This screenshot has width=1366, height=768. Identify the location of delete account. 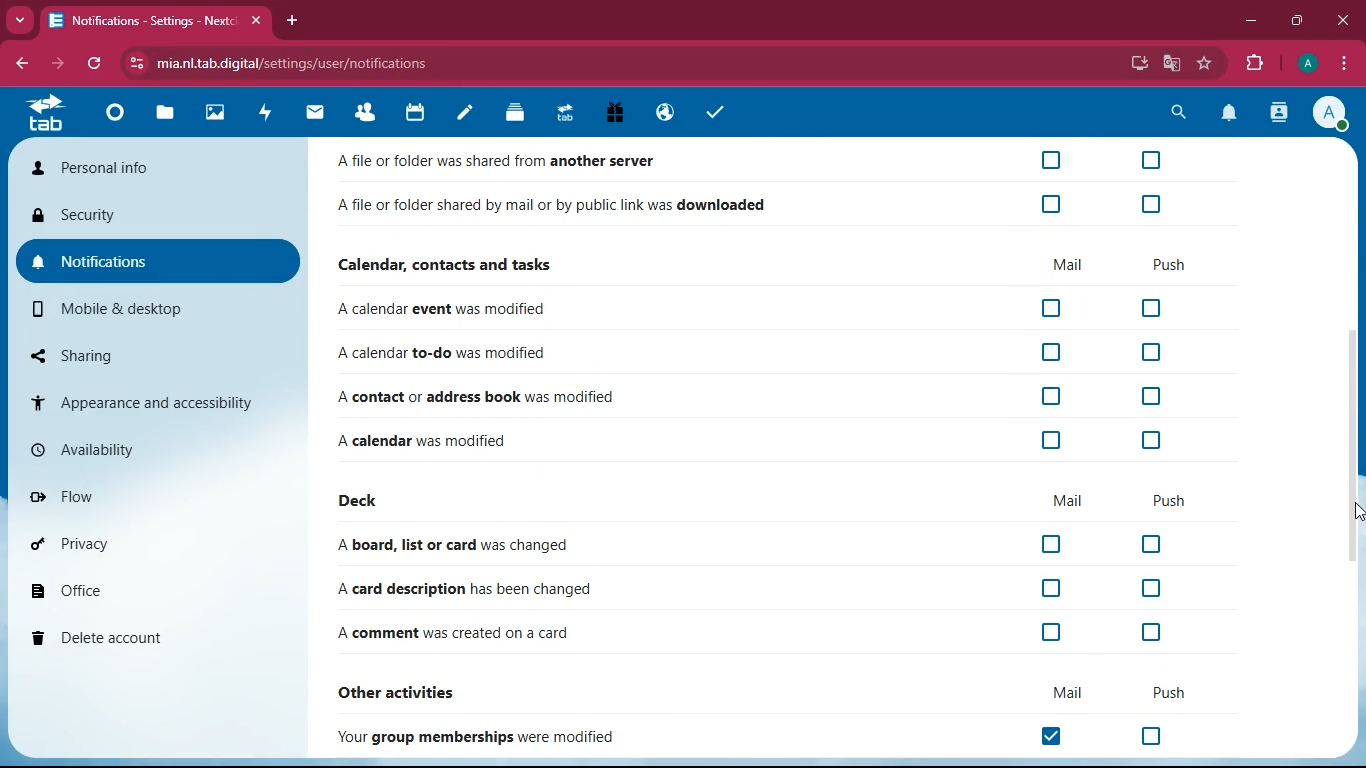
(148, 636).